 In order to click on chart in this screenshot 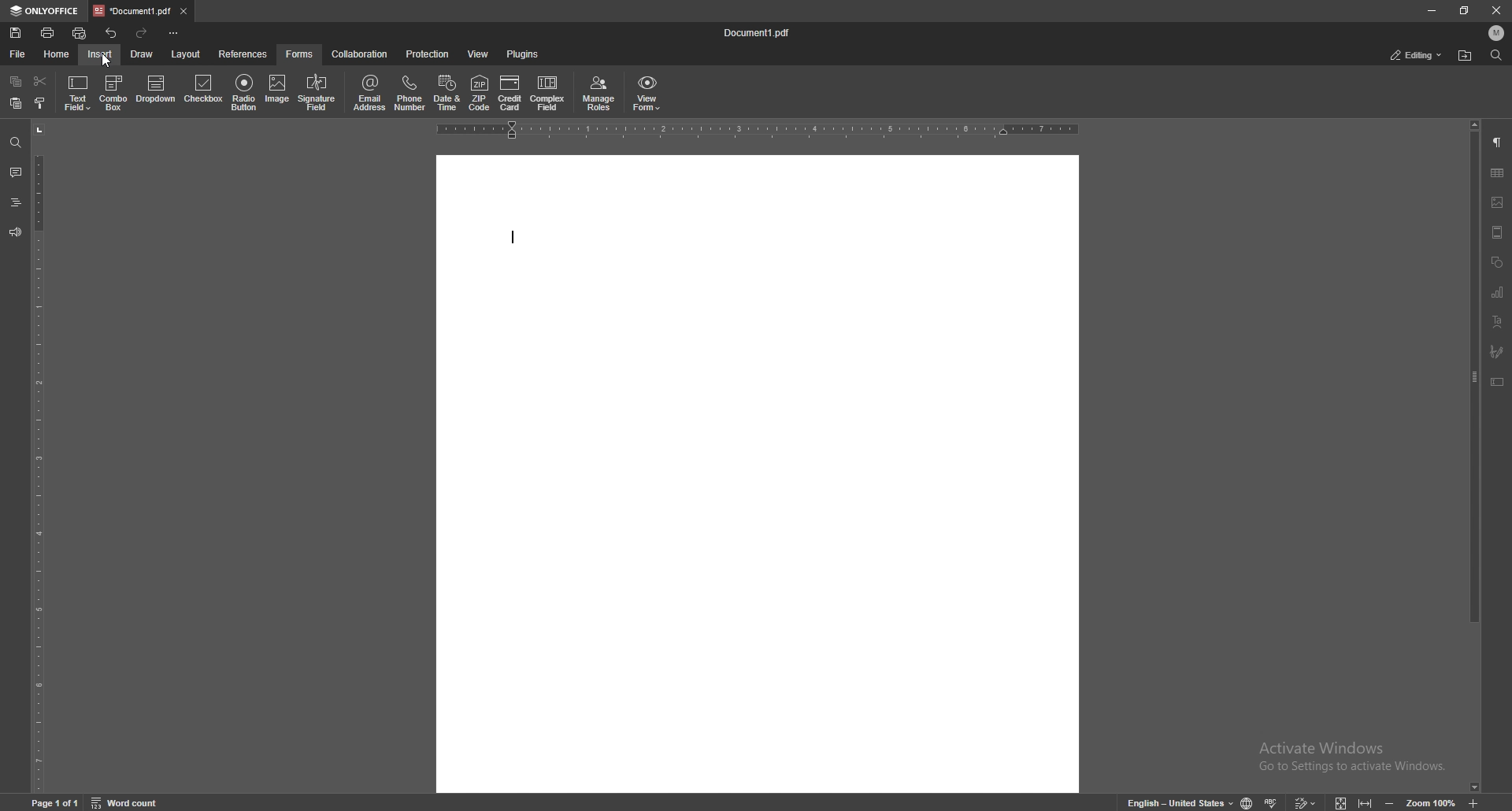, I will do `click(1499, 291)`.